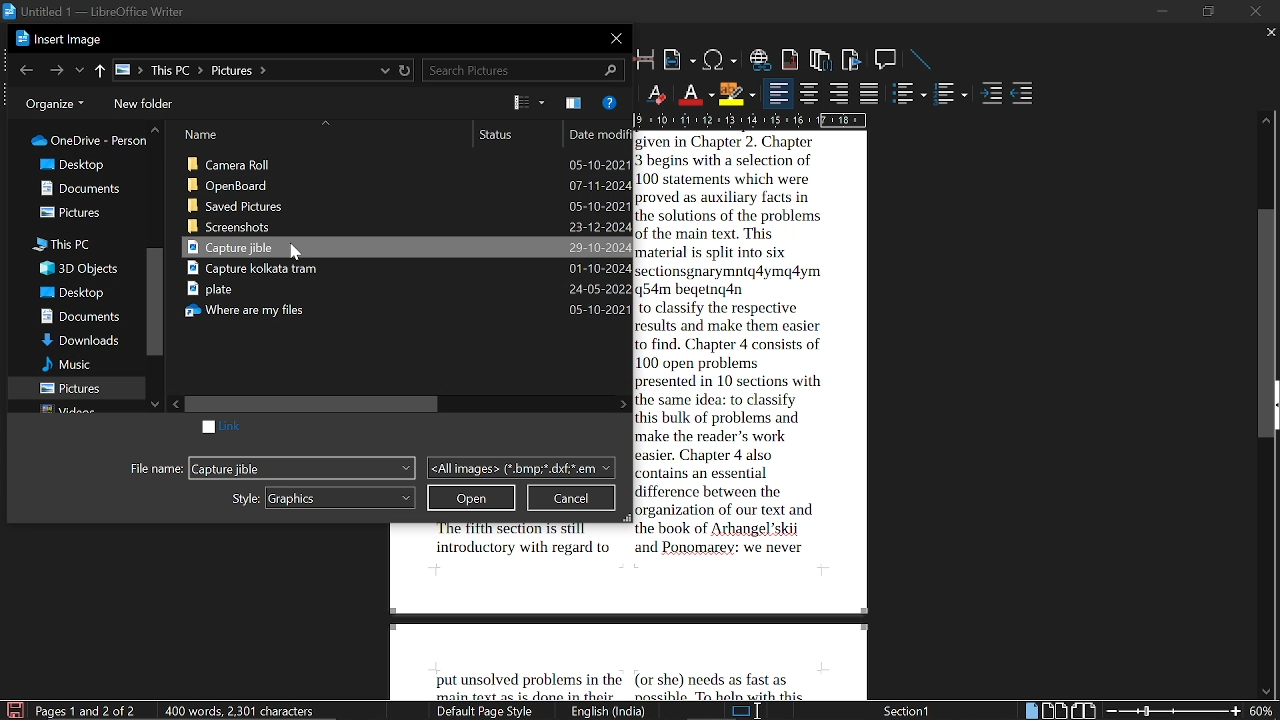 Image resolution: width=1280 pixels, height=720 pixels. I want to click on file name, so click(150, 468).